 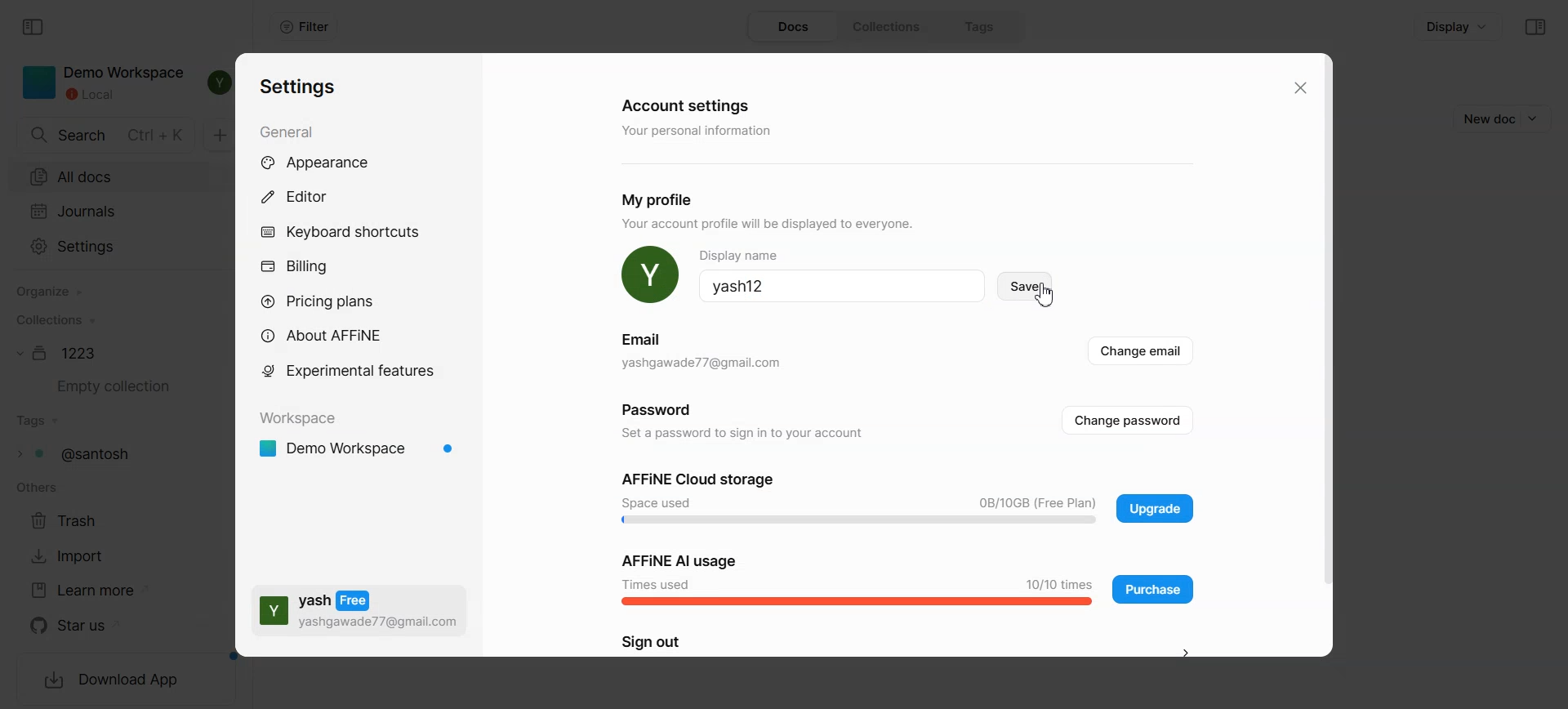 What do you see at coordinates (359, 609) in the screenshot?
I see `Yash free` at bounding box center [359, 609].